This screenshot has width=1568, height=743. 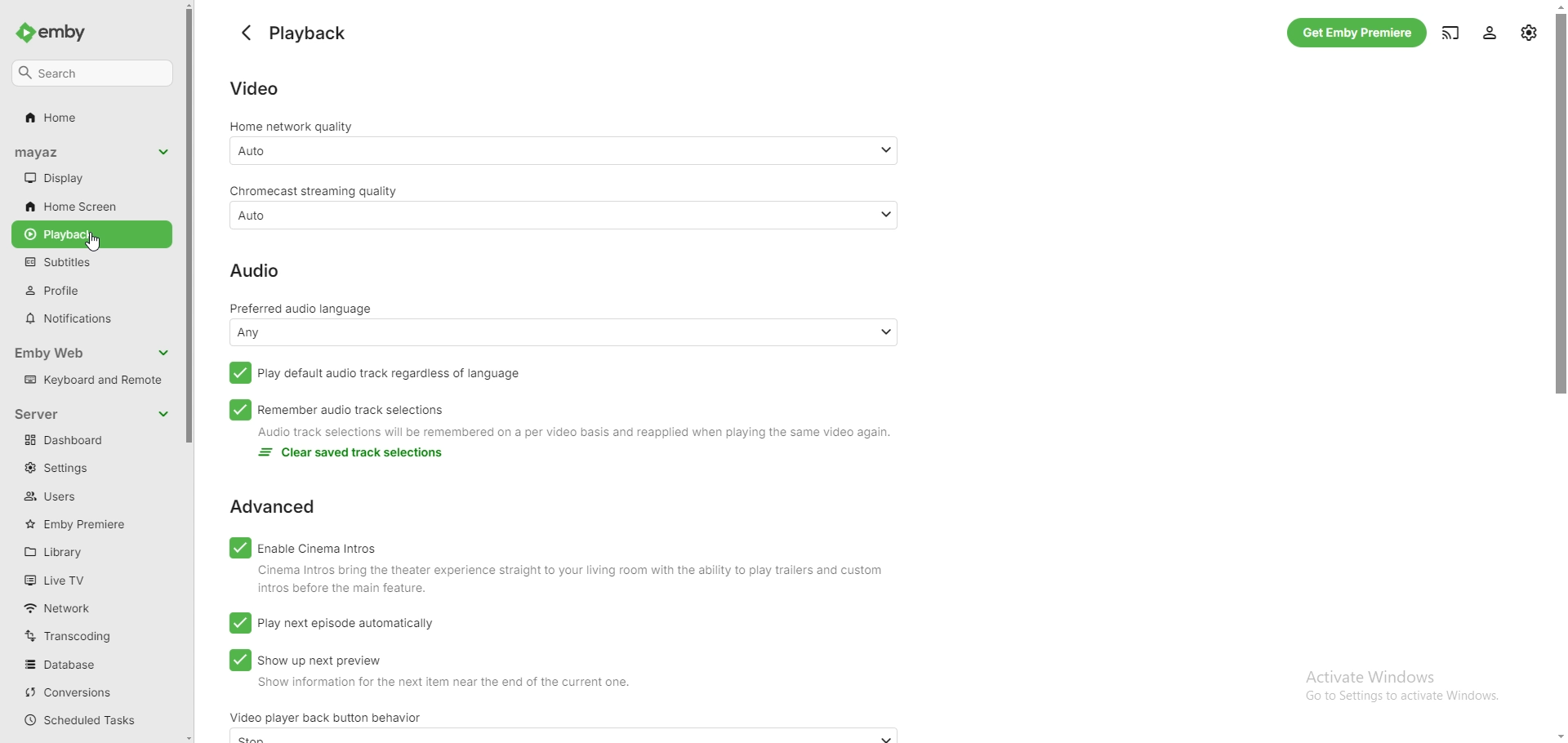 I want to click on play default audio track, so click(x=372, y=373).